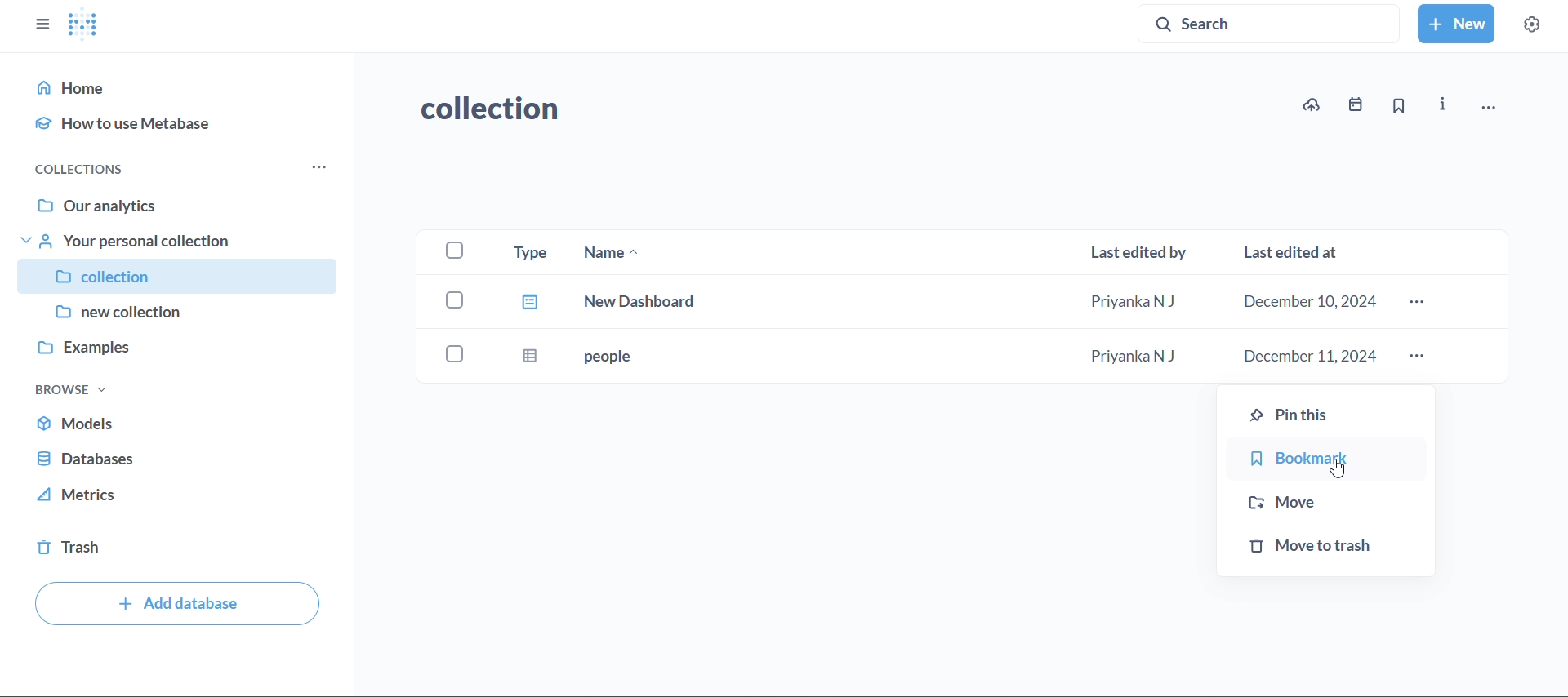  I want to click on type, so click(523, 309).